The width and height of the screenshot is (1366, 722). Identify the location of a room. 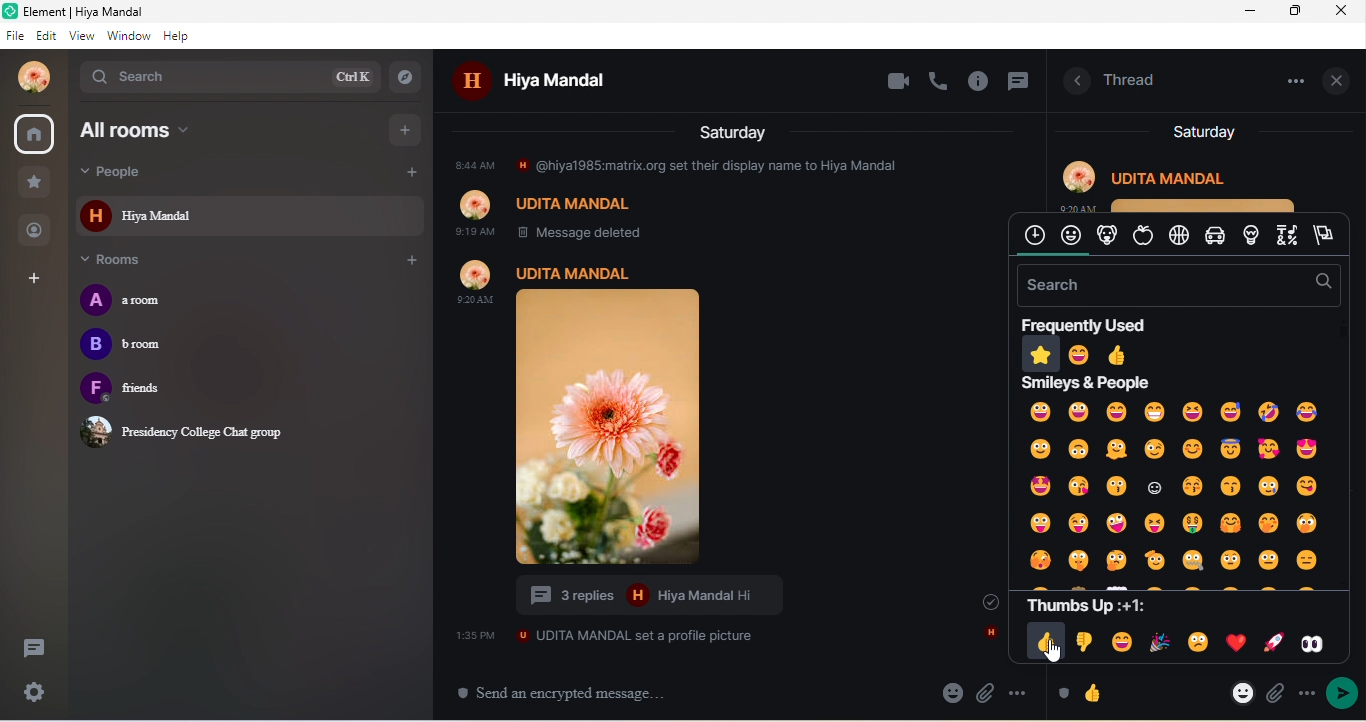
(140, 300).